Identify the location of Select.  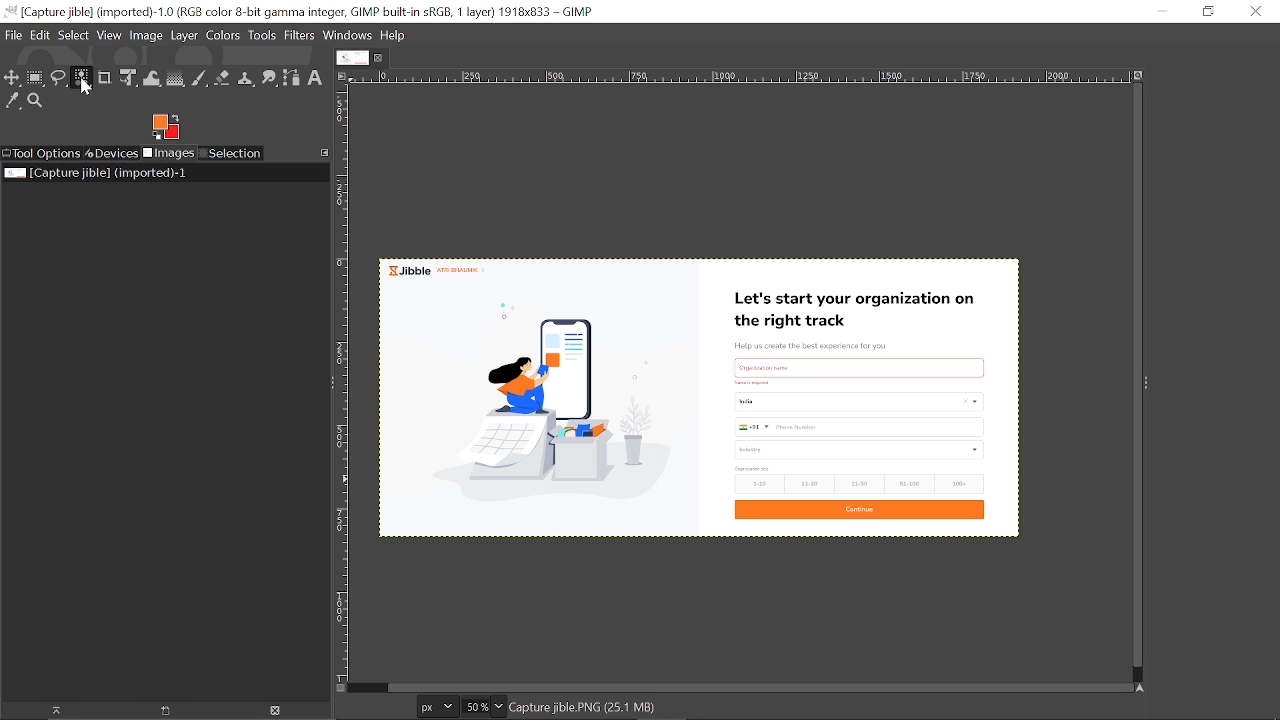
(73, 35).